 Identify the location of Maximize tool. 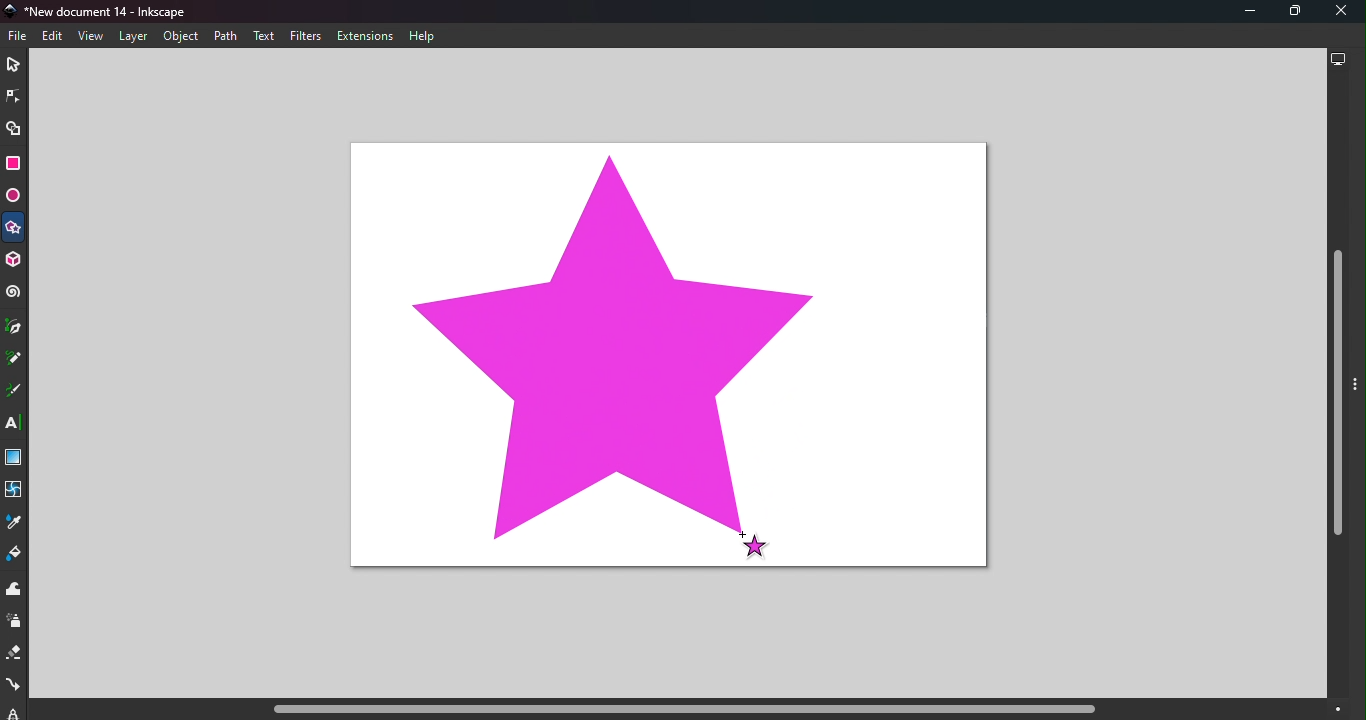
(1290, 11).